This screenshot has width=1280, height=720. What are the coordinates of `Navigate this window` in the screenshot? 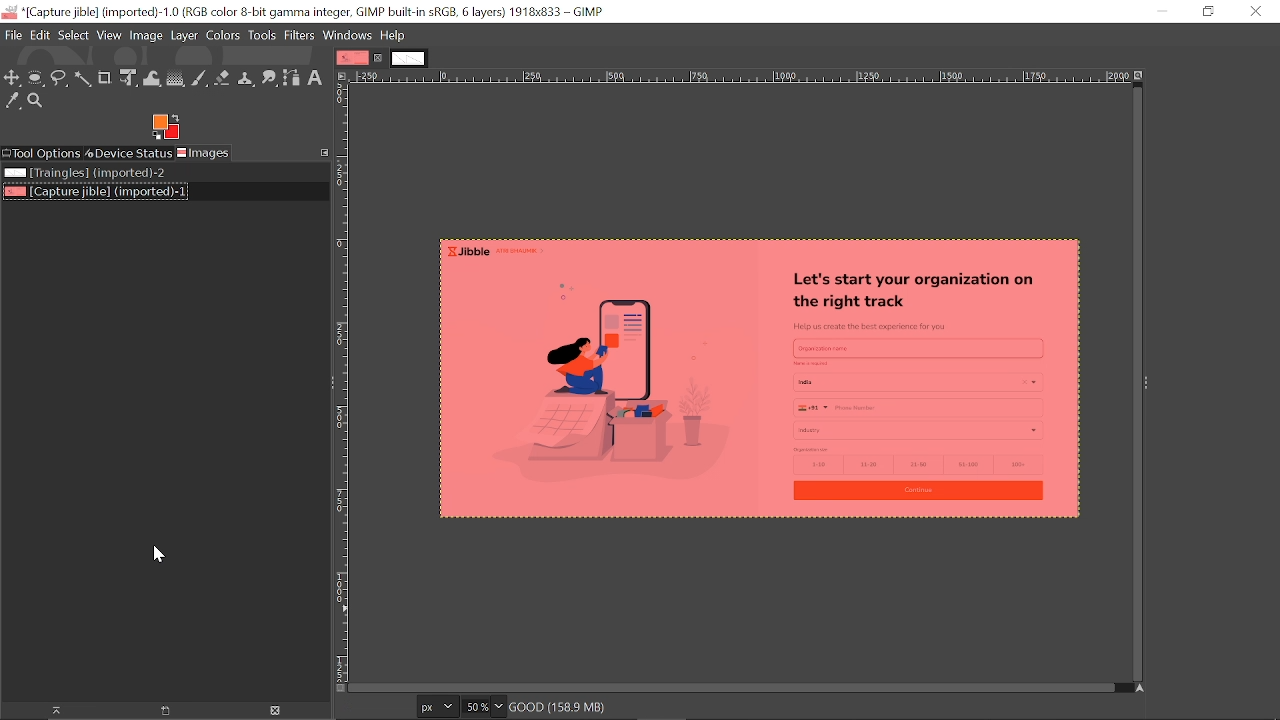 It's located at (1137, 688).